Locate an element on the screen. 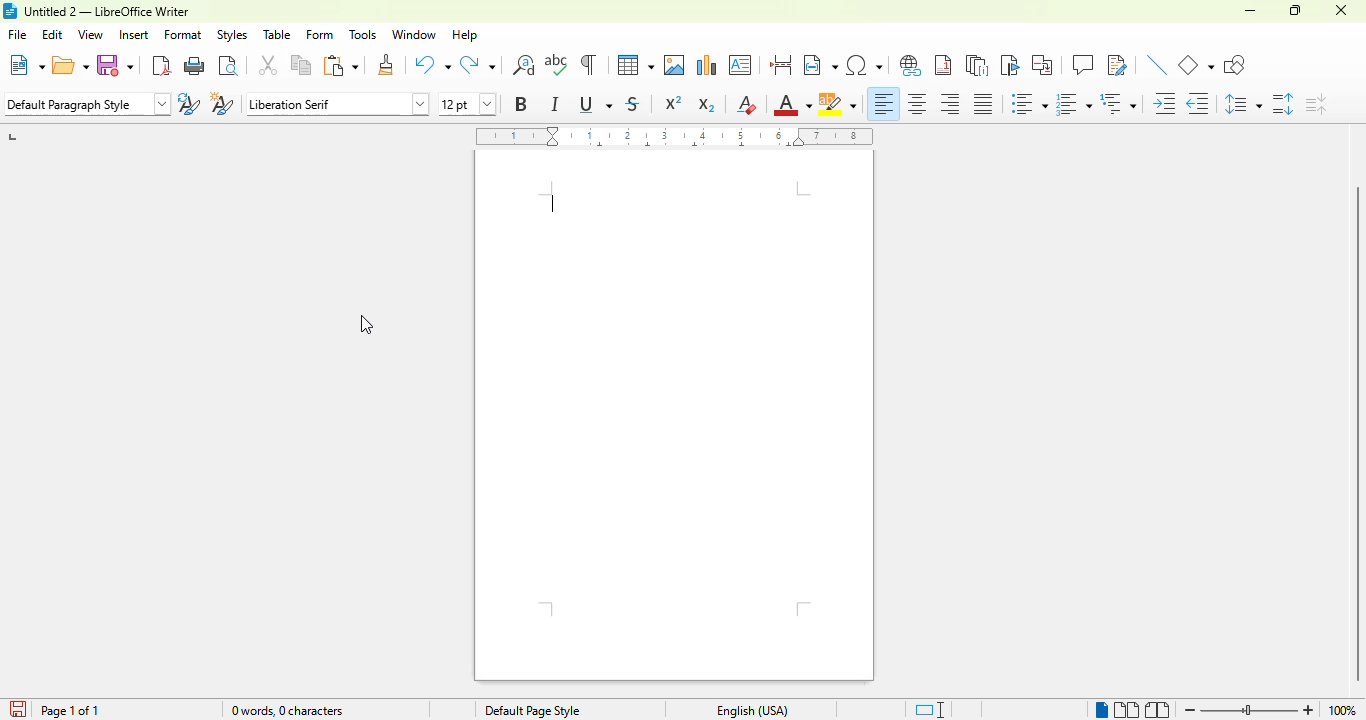 The image size is (1366, 720). window is located at coordinates (414, 34).